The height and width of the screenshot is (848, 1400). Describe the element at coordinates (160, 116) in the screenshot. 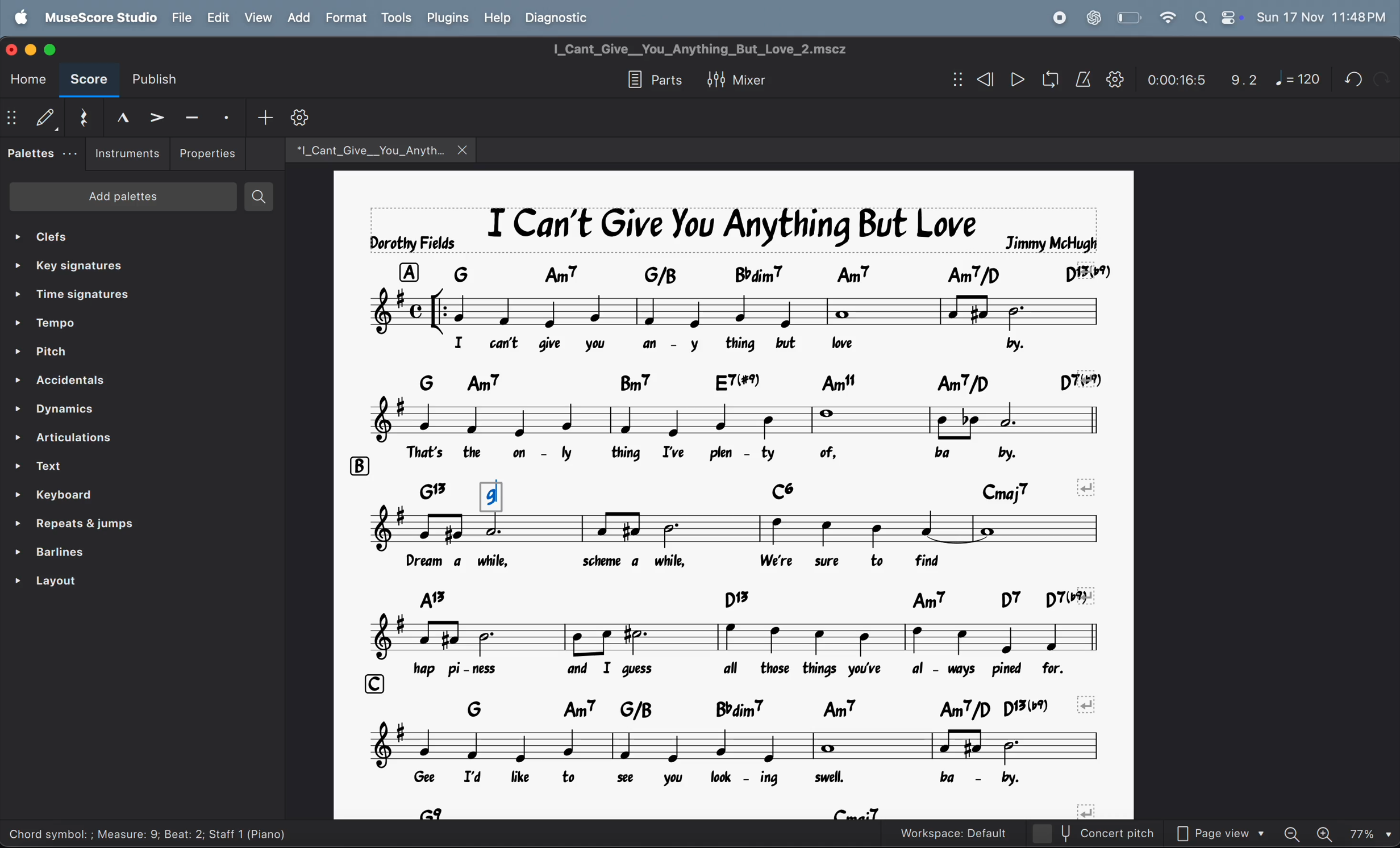

I see `accent` at that location.